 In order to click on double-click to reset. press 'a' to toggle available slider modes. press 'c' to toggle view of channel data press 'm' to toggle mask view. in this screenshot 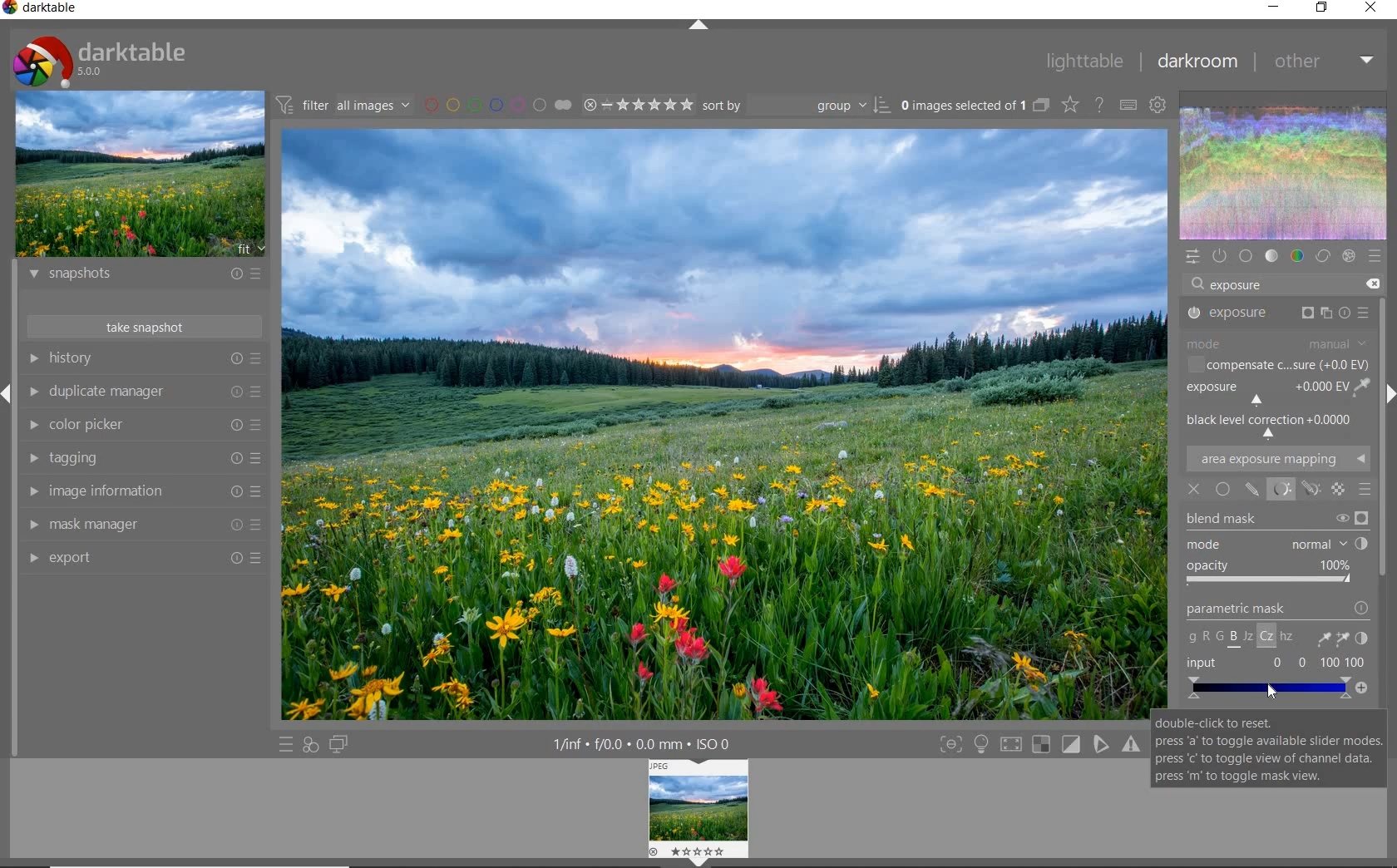, I will do `click(1266, 750)`.